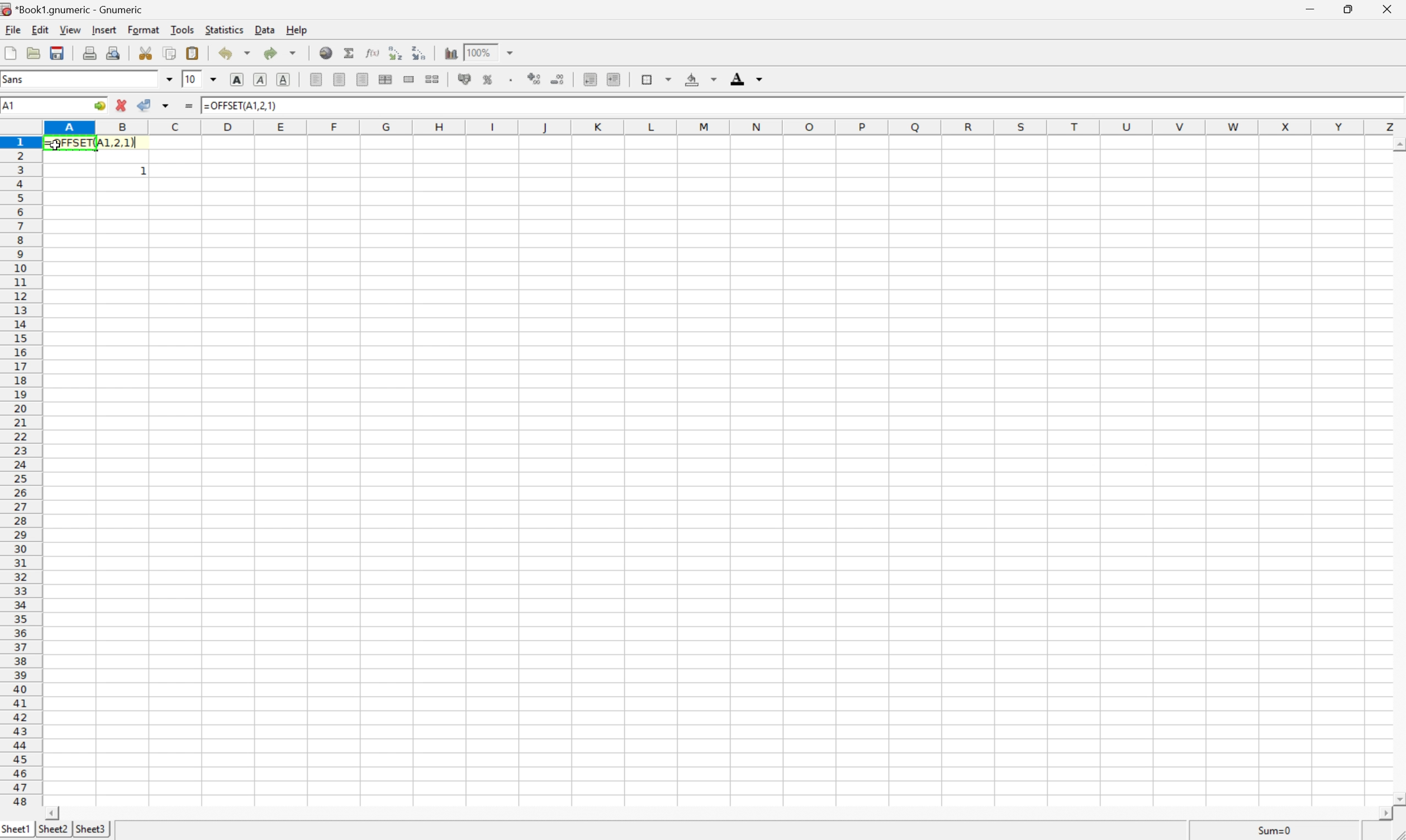  Describe the element at coordinates (266, 30) in the screenshot. I see `data` at that location.